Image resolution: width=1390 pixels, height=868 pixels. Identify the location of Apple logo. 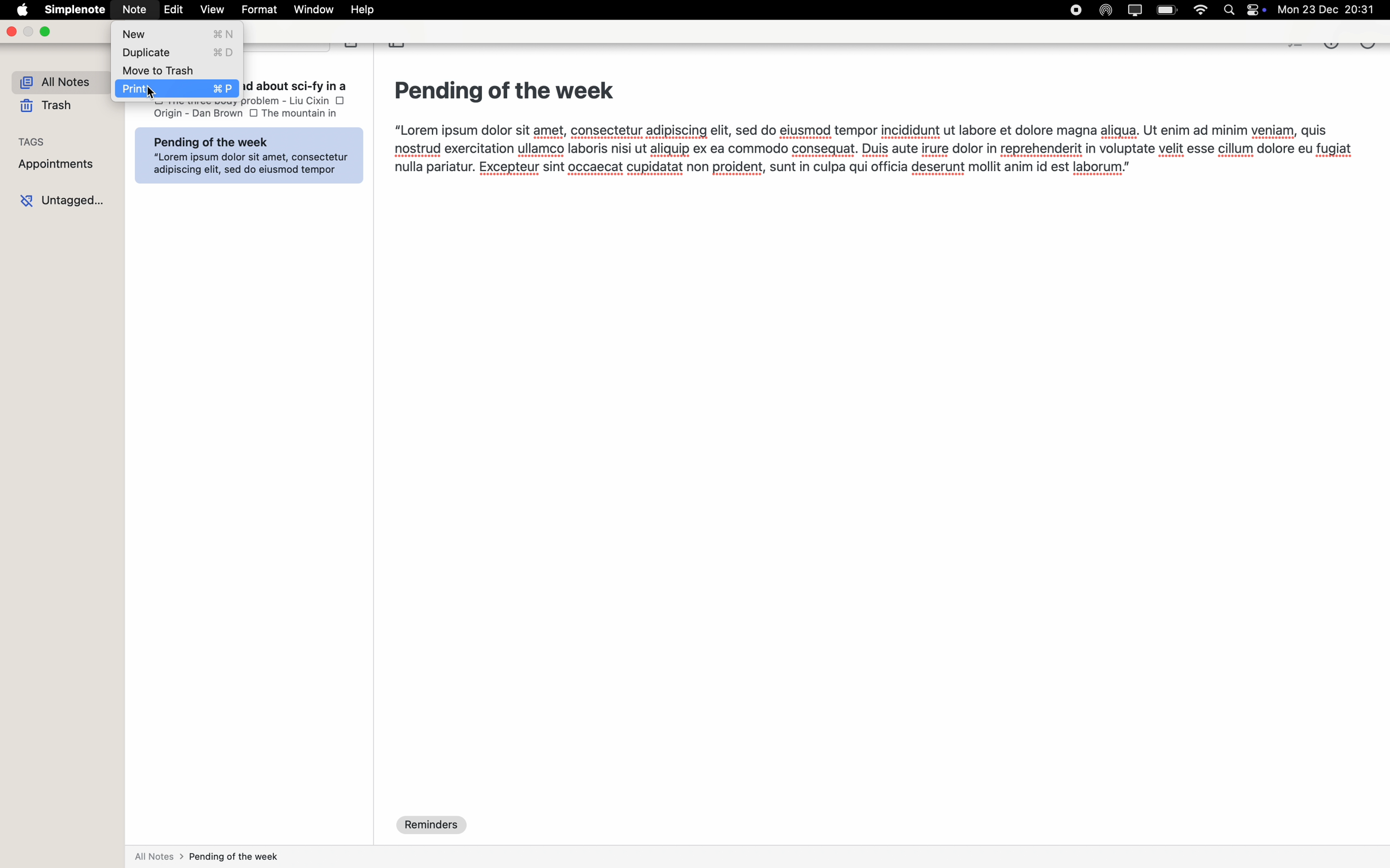
(17, 9).